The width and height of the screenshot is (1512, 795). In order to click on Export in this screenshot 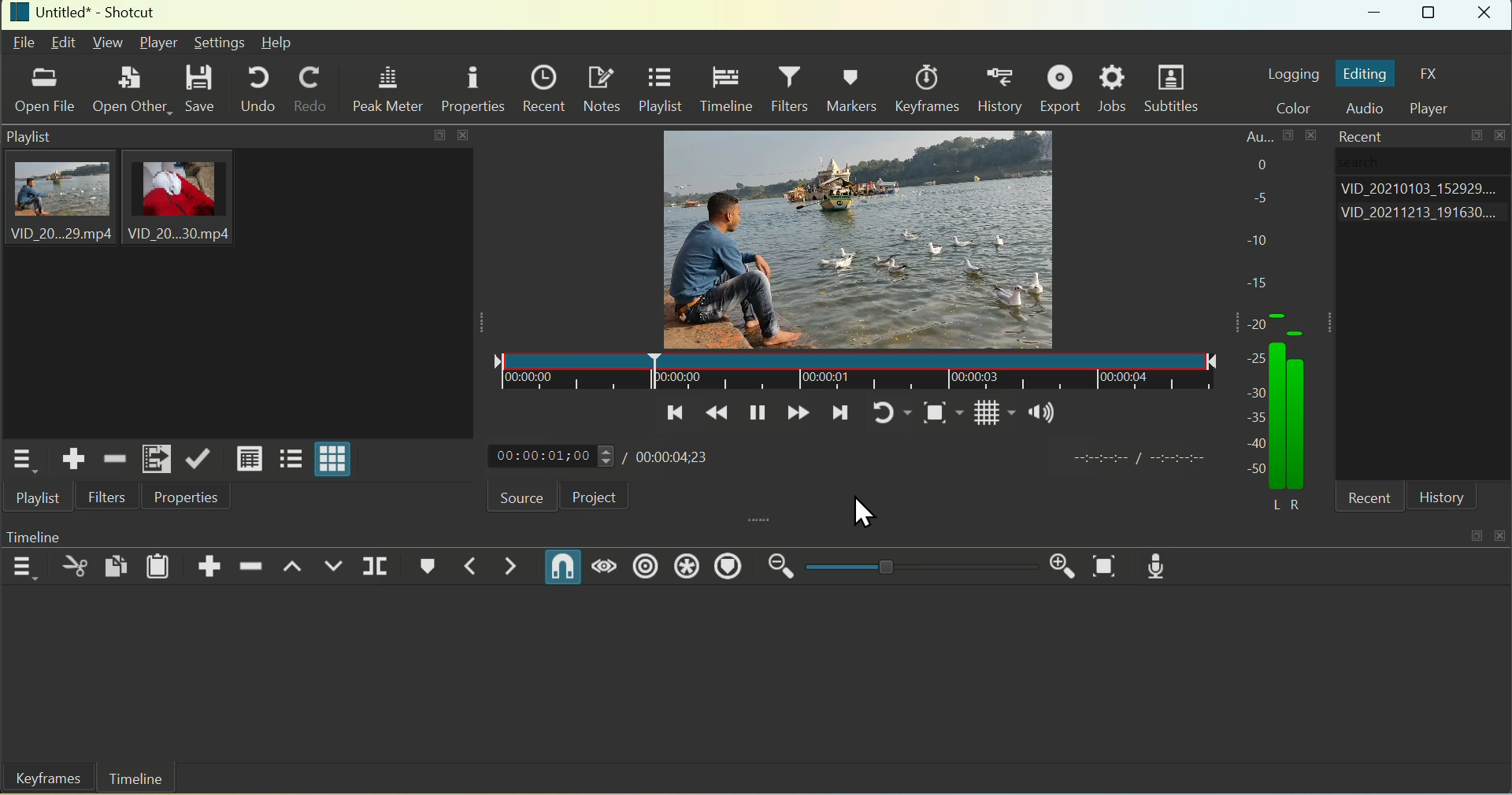, I will do `click(1063, 88)`.